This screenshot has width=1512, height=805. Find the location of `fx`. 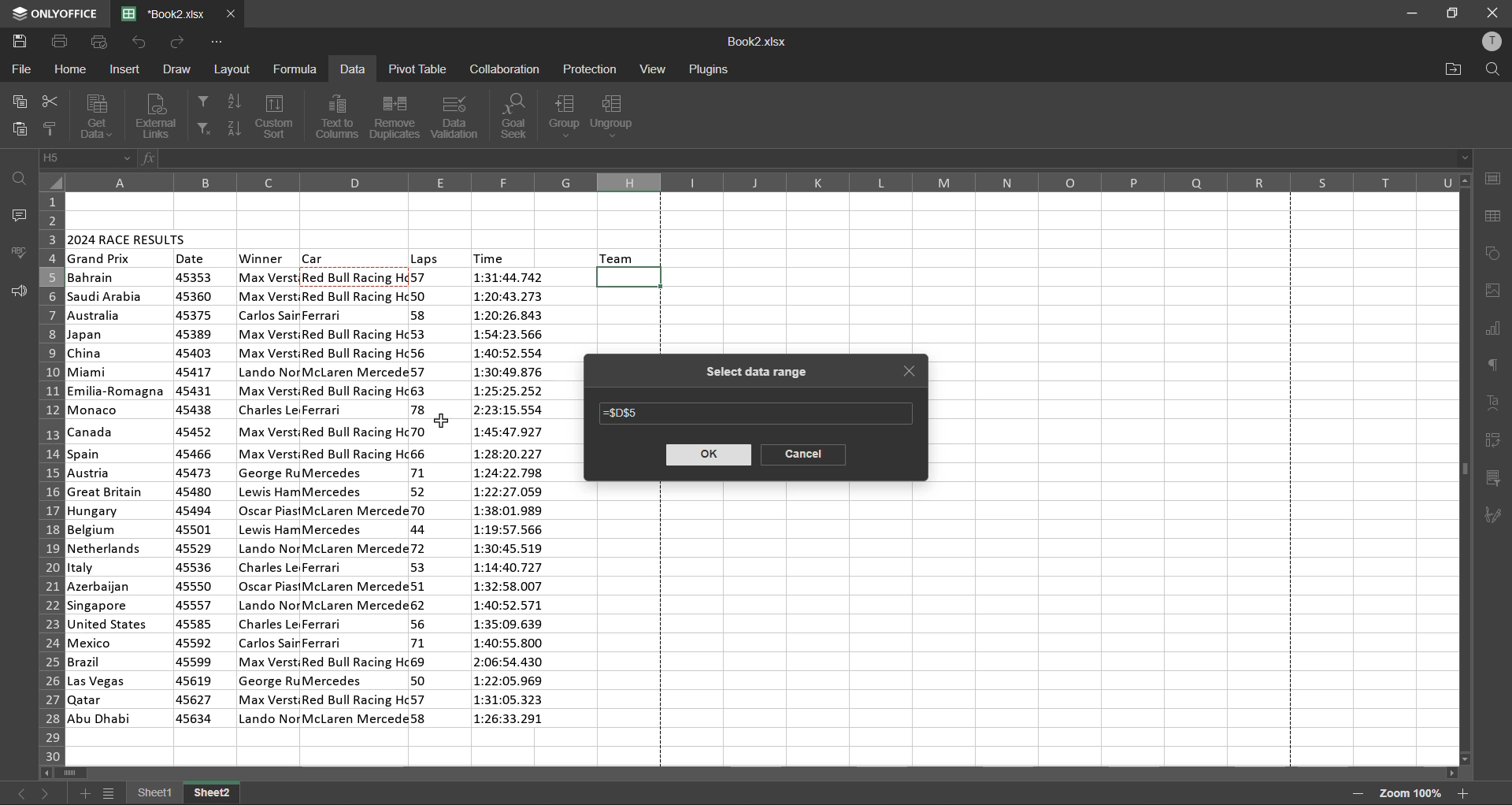

fx is located at coordinates (150, 161).